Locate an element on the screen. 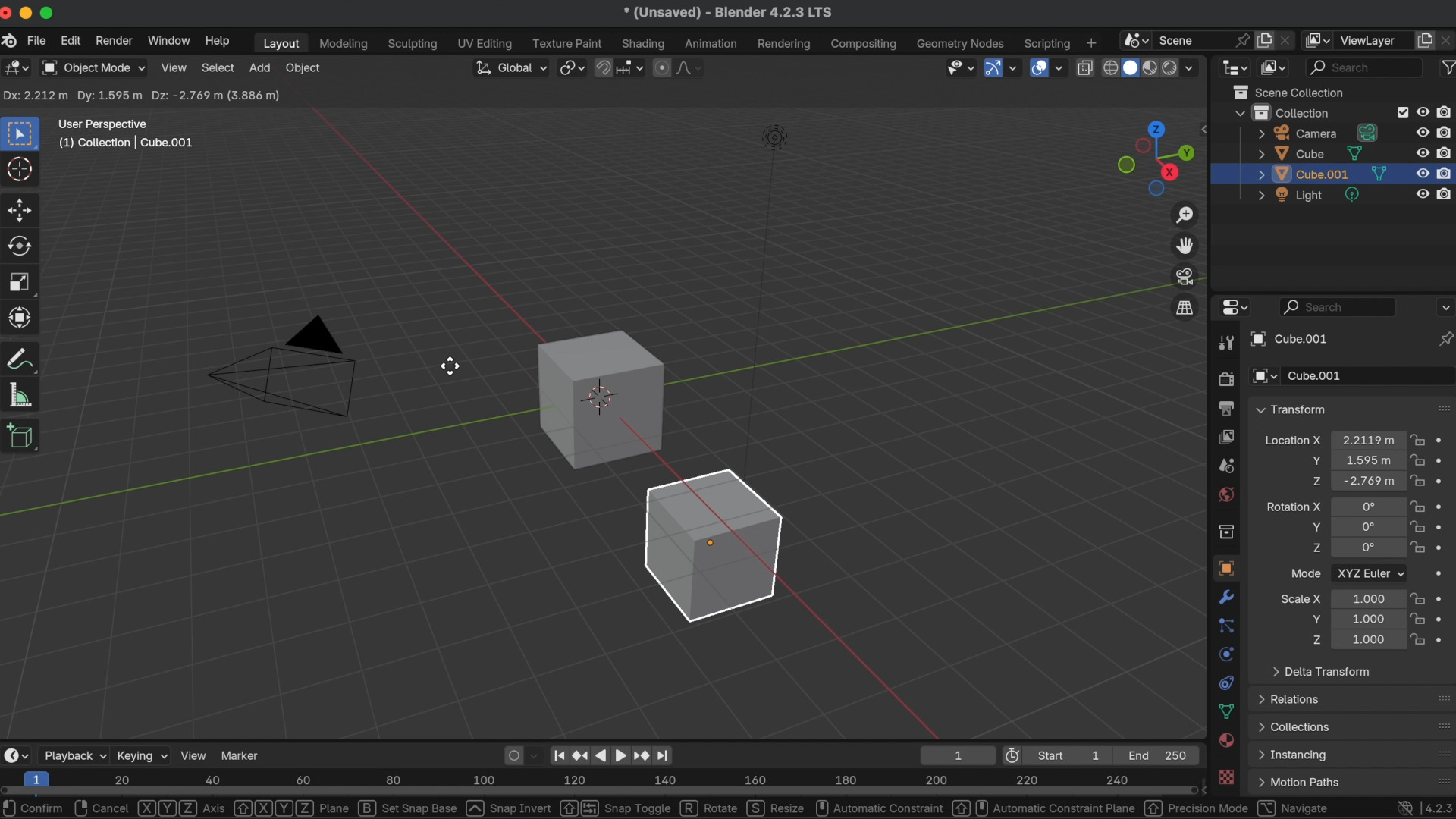 The width and height of the screenshot is (1456, 819). add workspace is located at coordinates (1090, 42).